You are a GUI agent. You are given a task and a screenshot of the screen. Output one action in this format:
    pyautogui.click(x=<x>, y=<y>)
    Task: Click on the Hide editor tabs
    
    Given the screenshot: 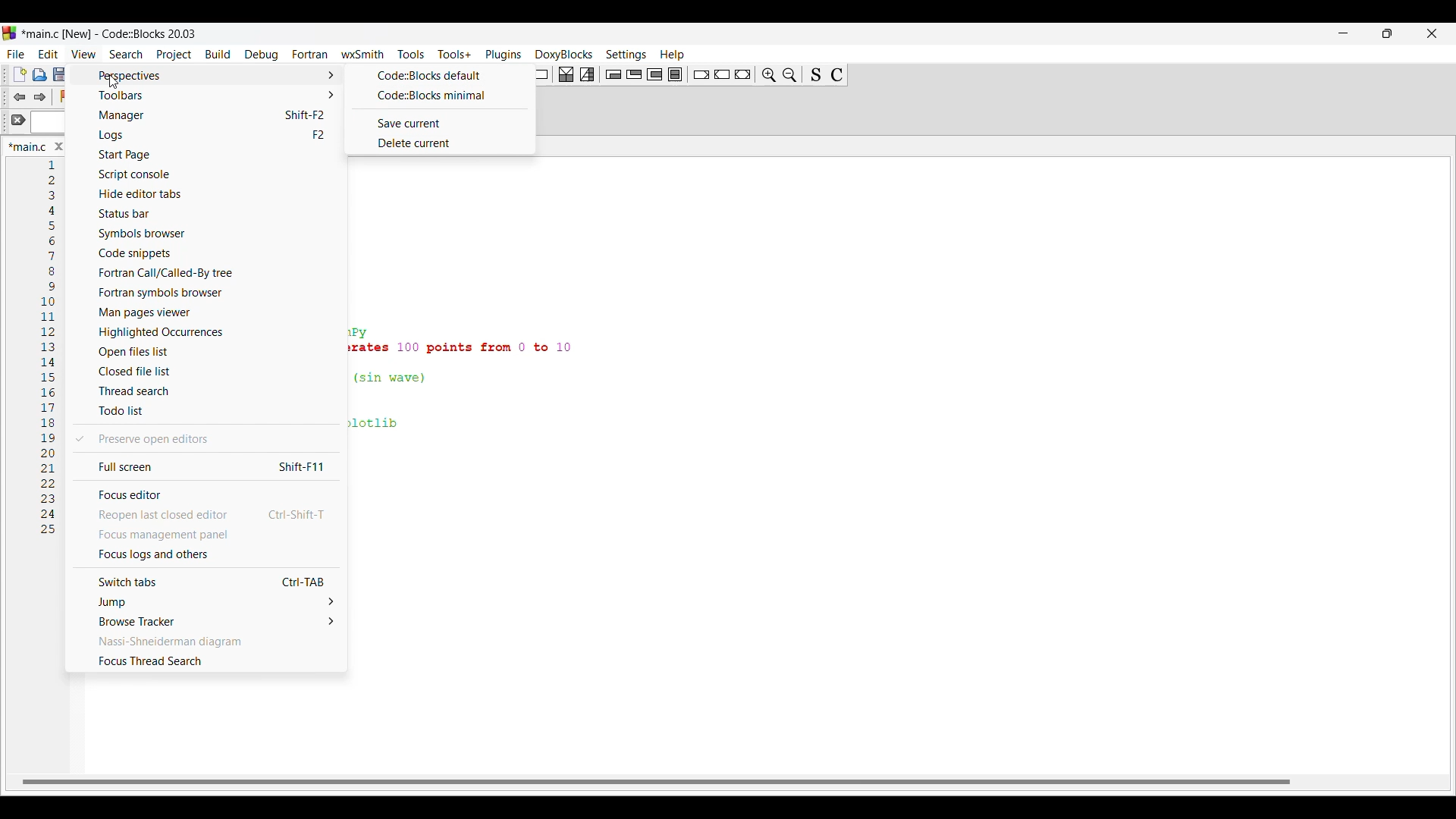 What is the action you would take?
    pyautogui.click(x=210, y=194)
    